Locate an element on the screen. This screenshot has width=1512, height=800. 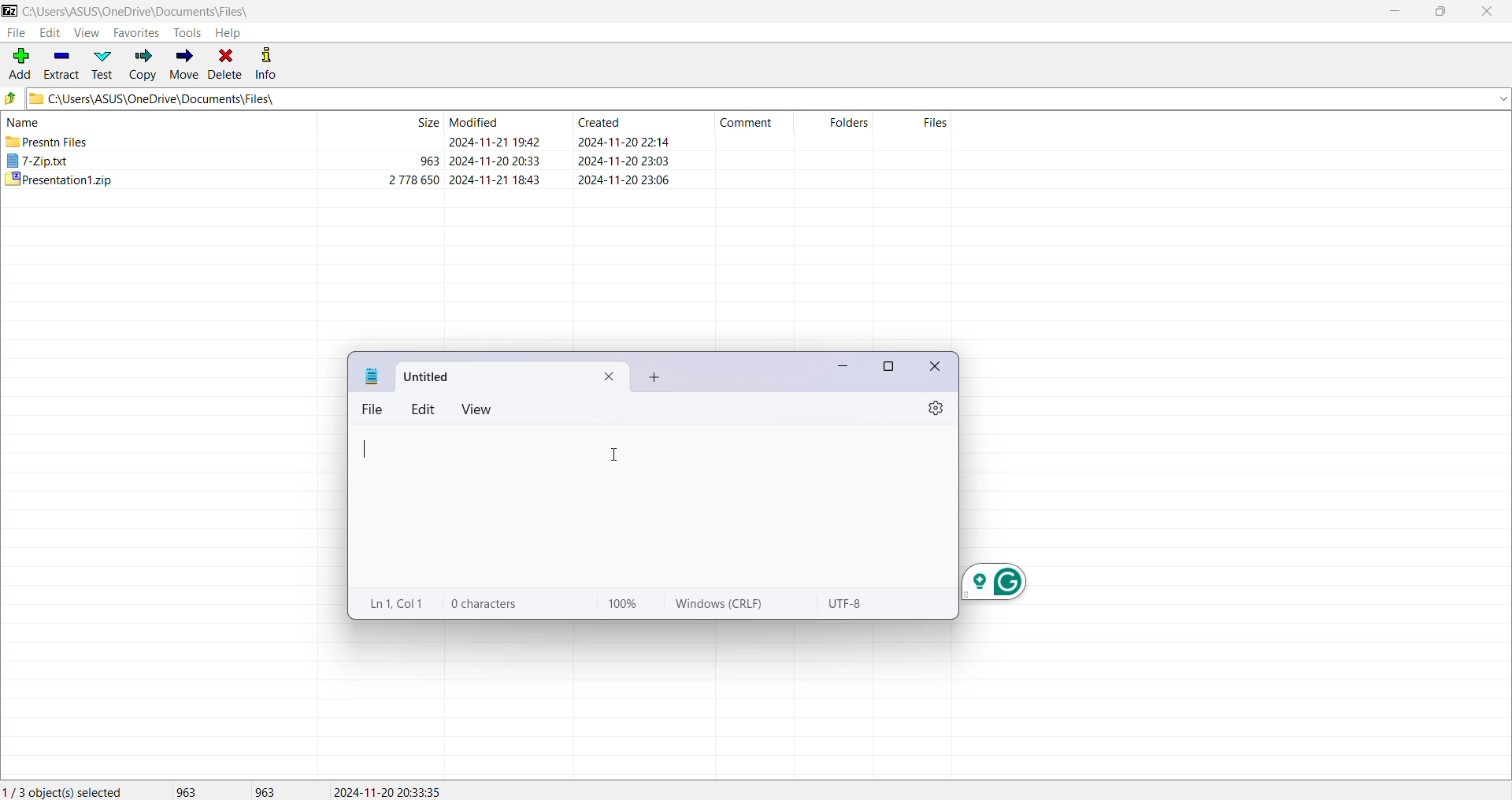
maximize is located at coordinates (888, 366).